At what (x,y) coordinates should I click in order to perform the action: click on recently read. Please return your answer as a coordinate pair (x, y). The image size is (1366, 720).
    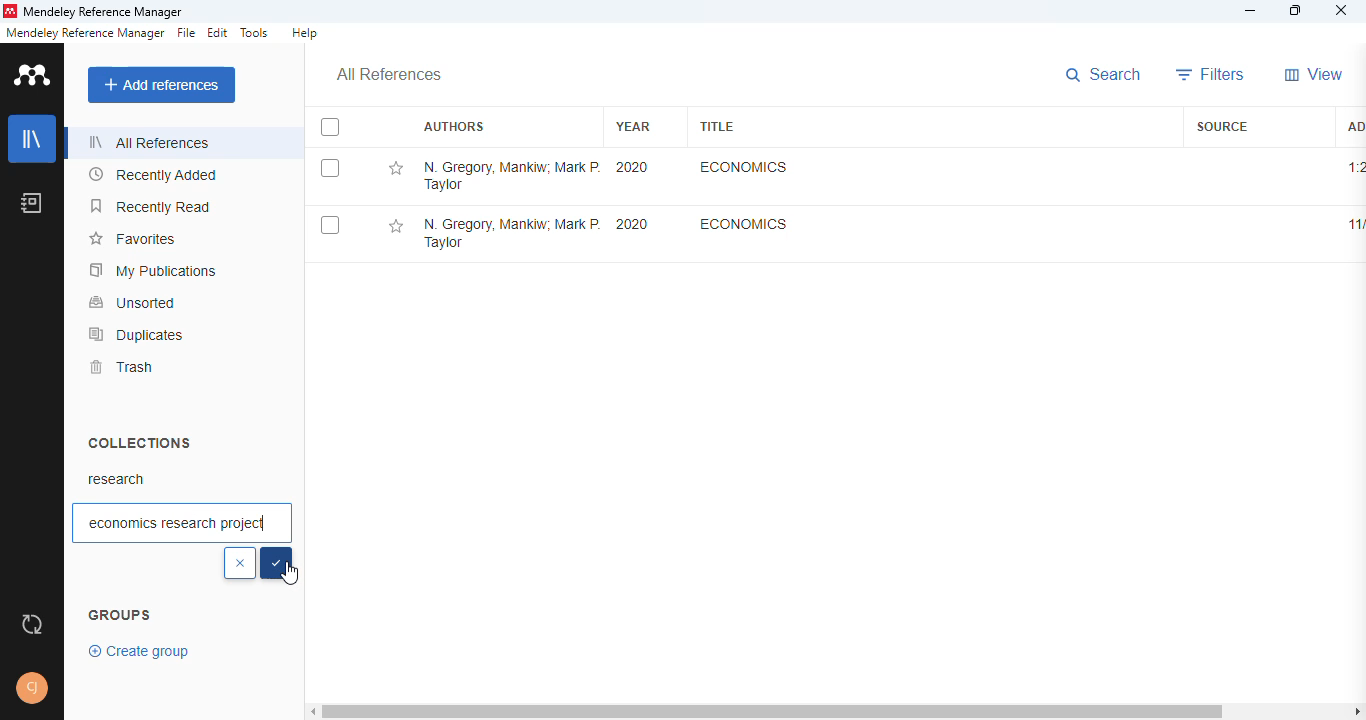
    Looking at the image, I should click on (152, 206).